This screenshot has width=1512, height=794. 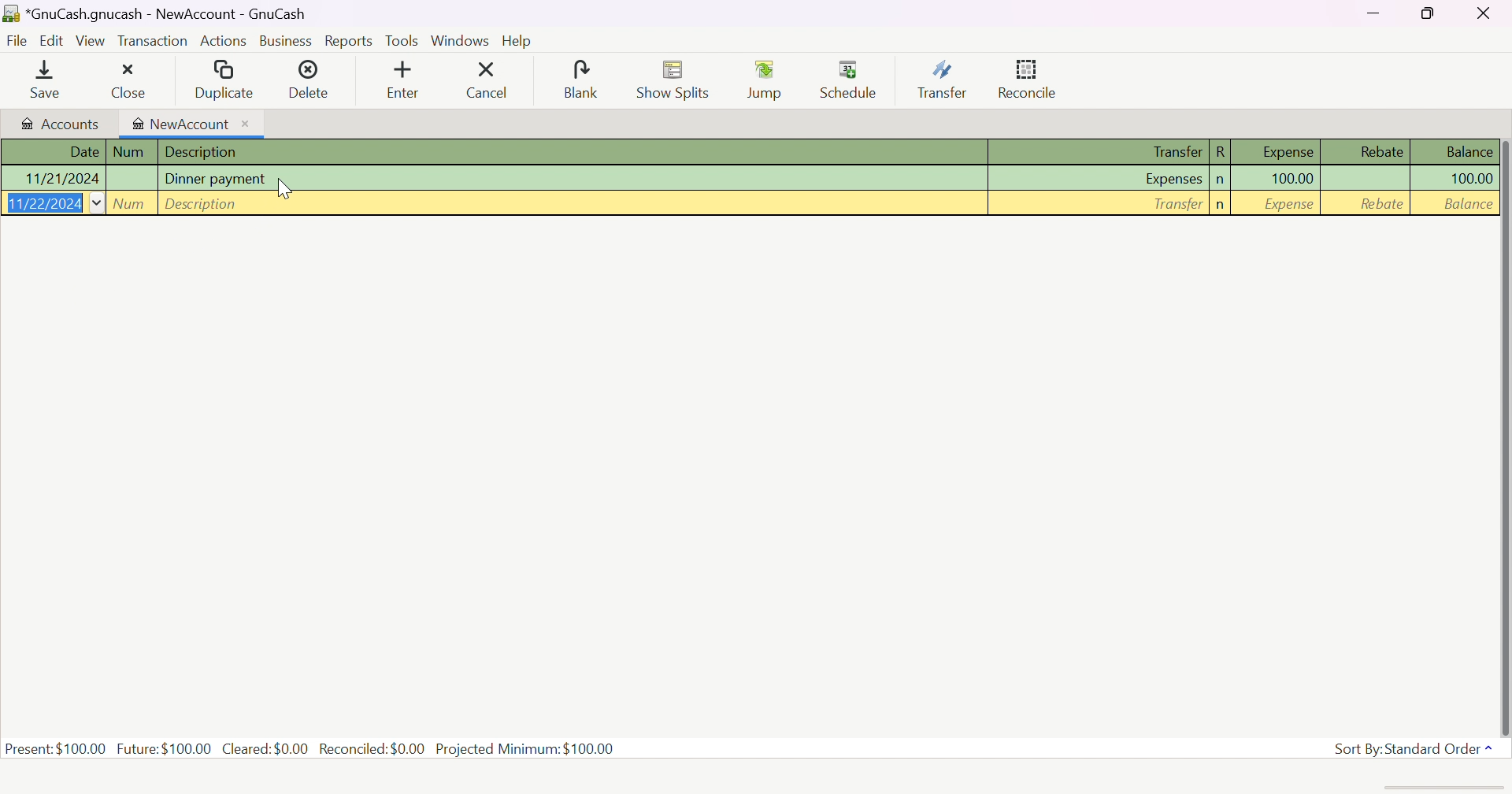 What do you see at coordinates (39, 82) in the screenshot?
I see `Save` at bounding box center [39, 82].